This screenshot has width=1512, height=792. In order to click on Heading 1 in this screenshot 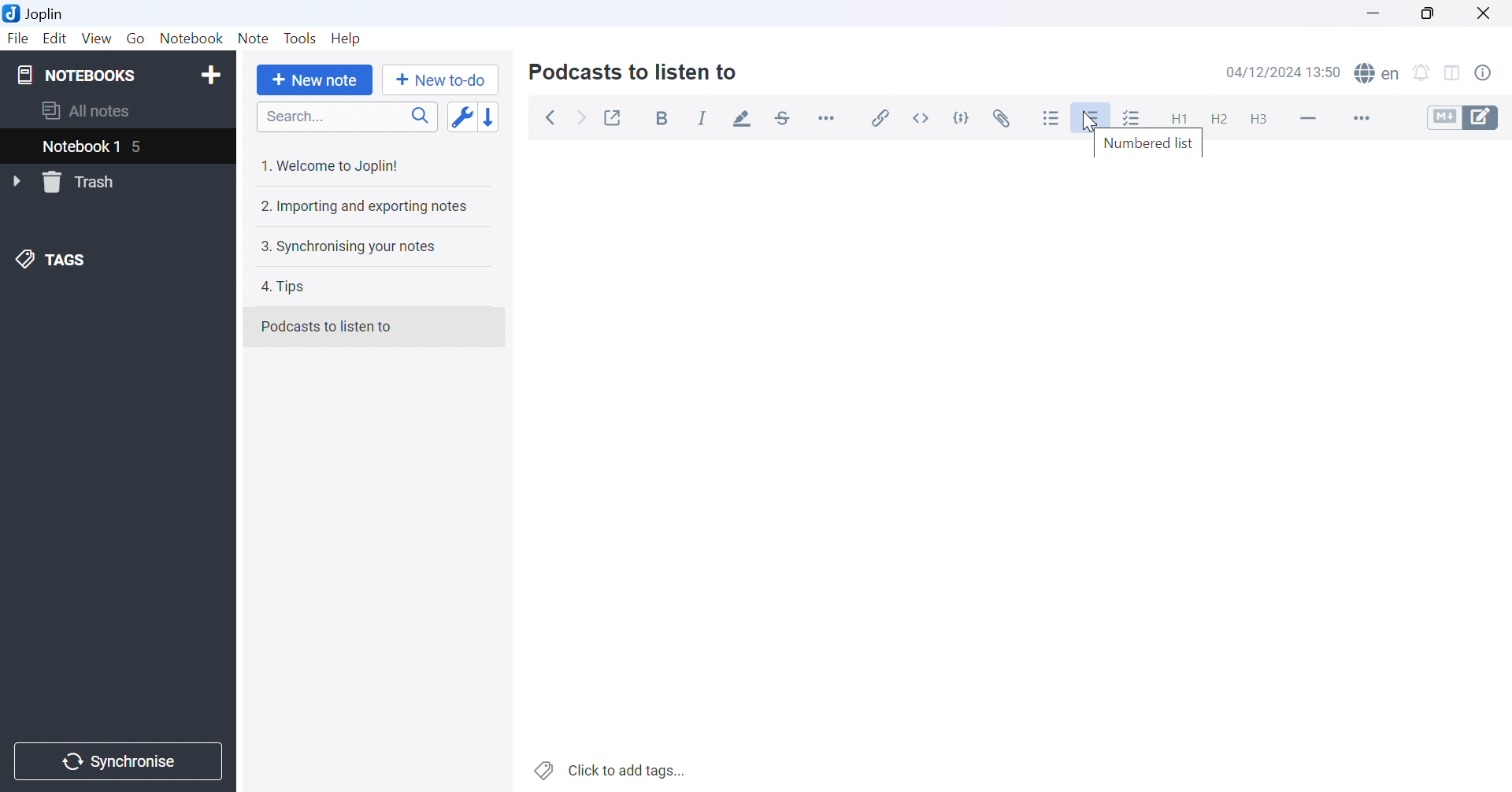, I will do `click(1174, 116)`.